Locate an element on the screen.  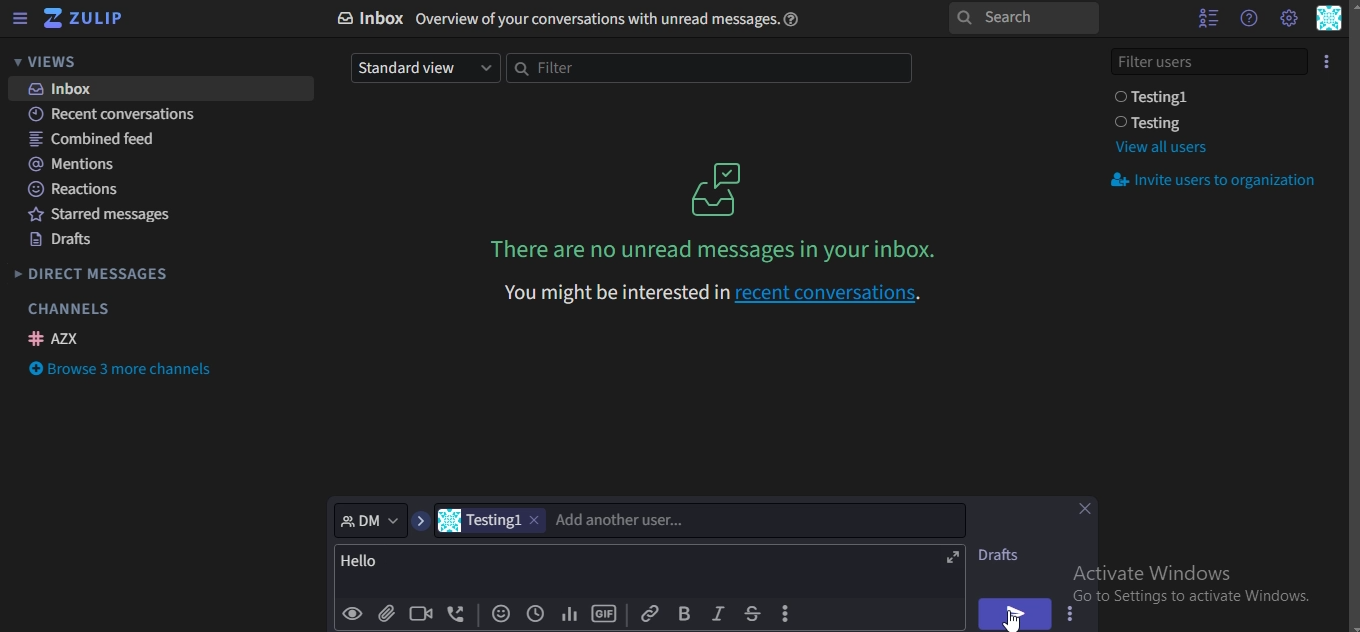
direct messages is located at coordinates (94, 276).